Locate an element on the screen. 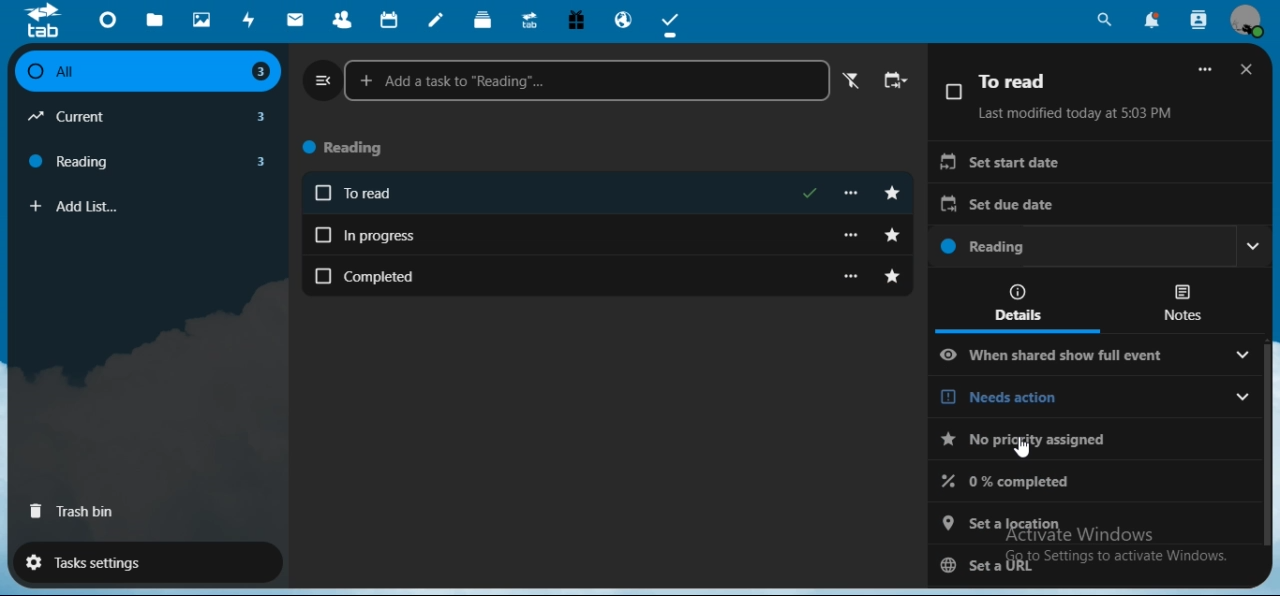 This screenshot has height=596, width=1280. toggle starred is located at coordinates (894, 235).